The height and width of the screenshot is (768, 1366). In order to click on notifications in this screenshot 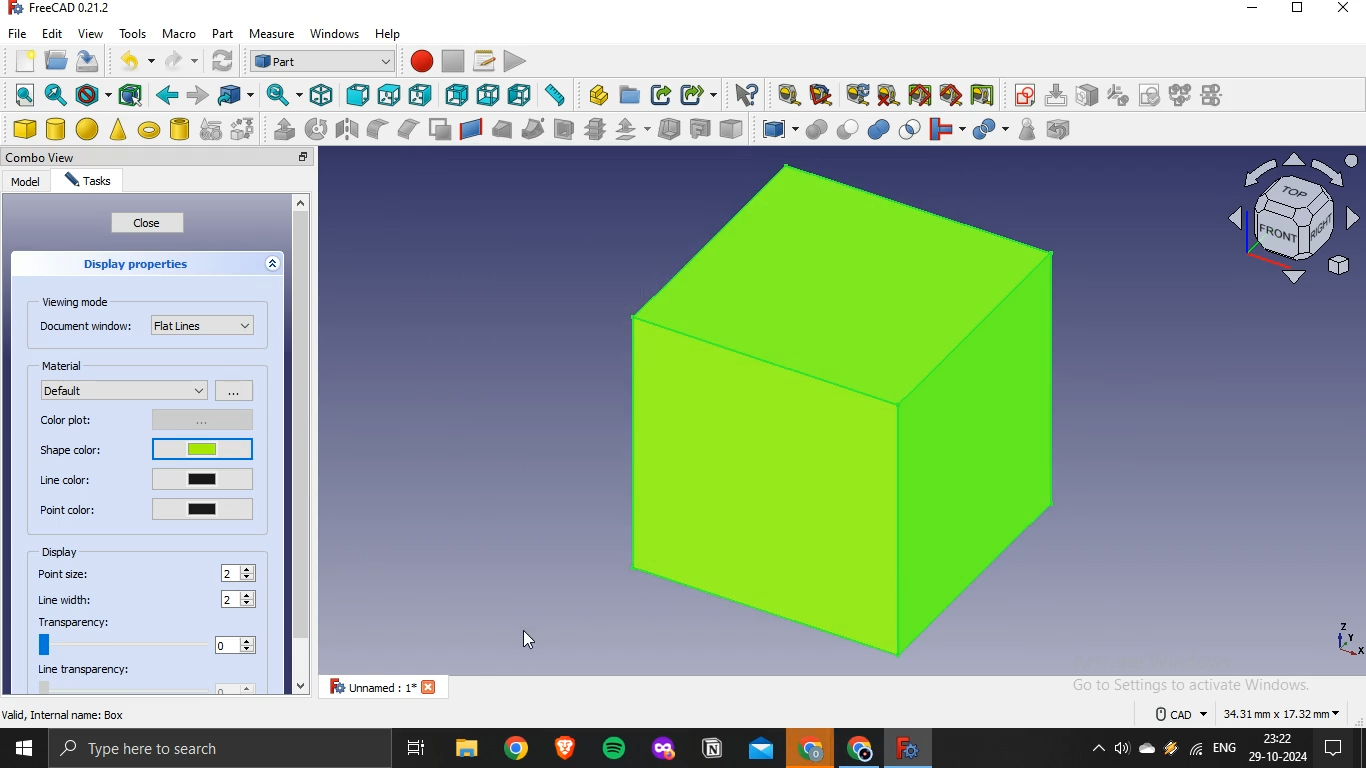, I will do `click(1330, 750)`.